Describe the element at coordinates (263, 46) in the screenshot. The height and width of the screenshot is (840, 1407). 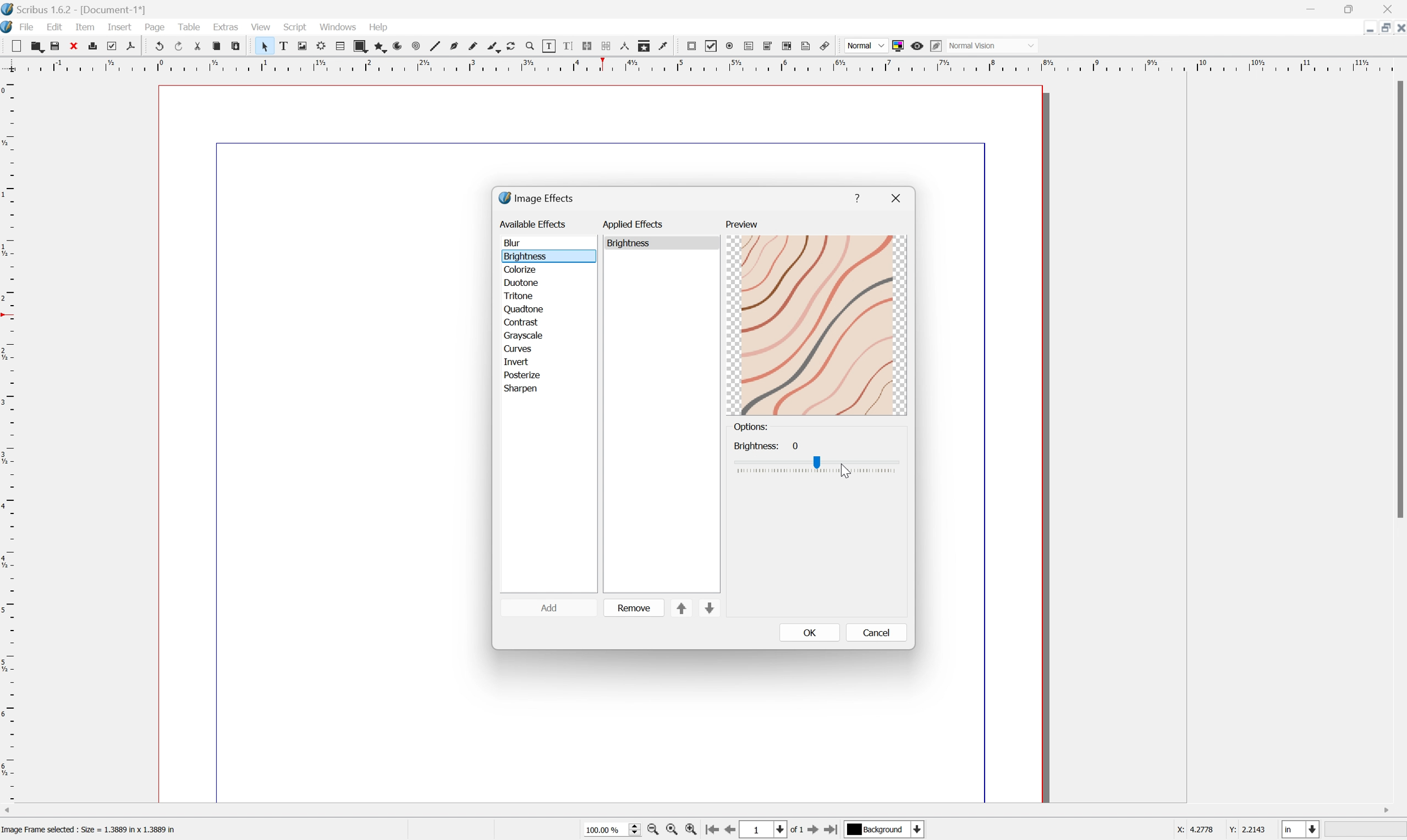
I see `Select item` at that location.